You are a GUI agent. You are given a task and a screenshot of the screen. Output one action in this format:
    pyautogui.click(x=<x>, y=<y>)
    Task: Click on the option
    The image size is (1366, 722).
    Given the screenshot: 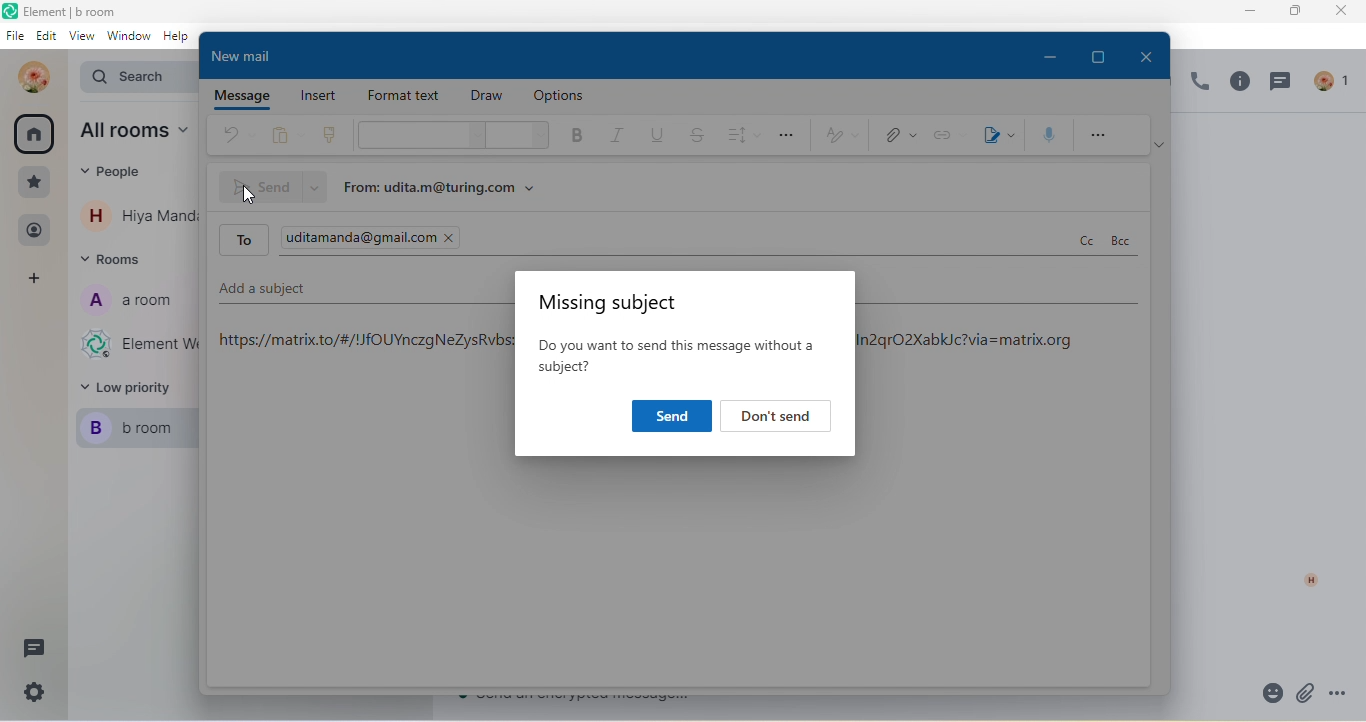 What is the action you would take?
    pyautogui.click(x=789, y=135)
    